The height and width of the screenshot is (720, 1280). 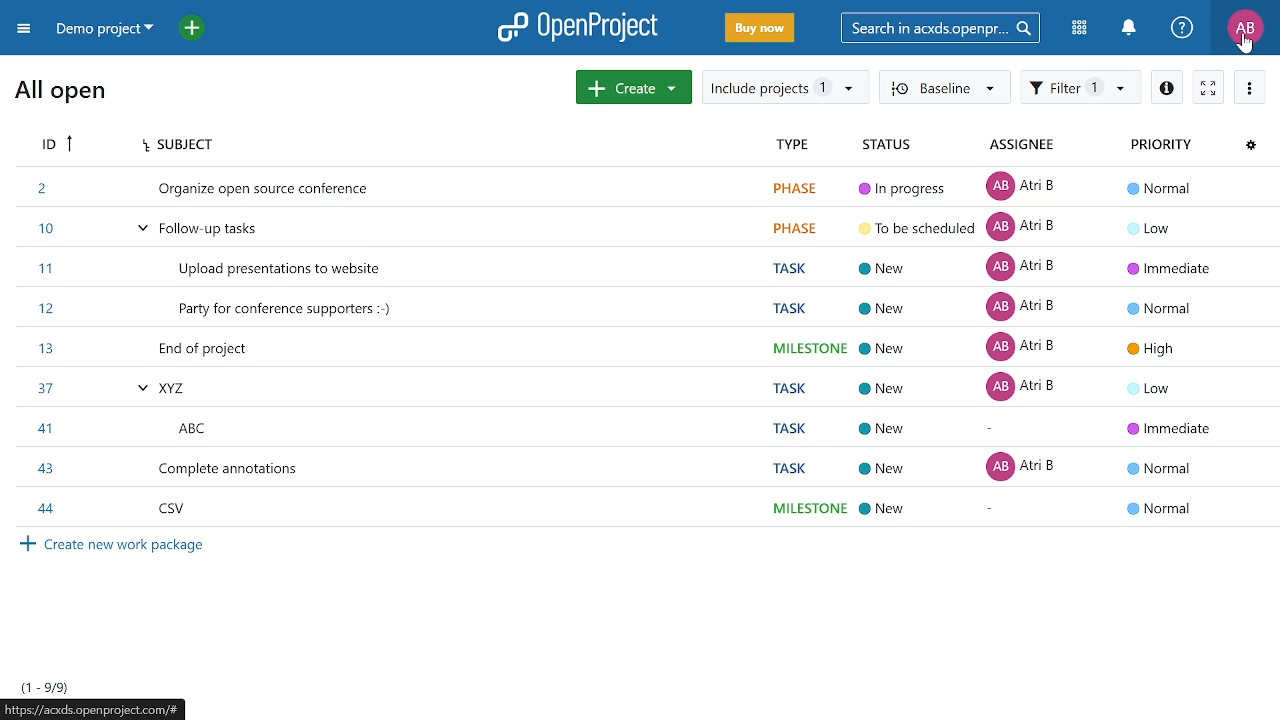 What do you see at coordinates (194, 146) in the screenshot?
I see `Subject` at bounding box center [194, 146].